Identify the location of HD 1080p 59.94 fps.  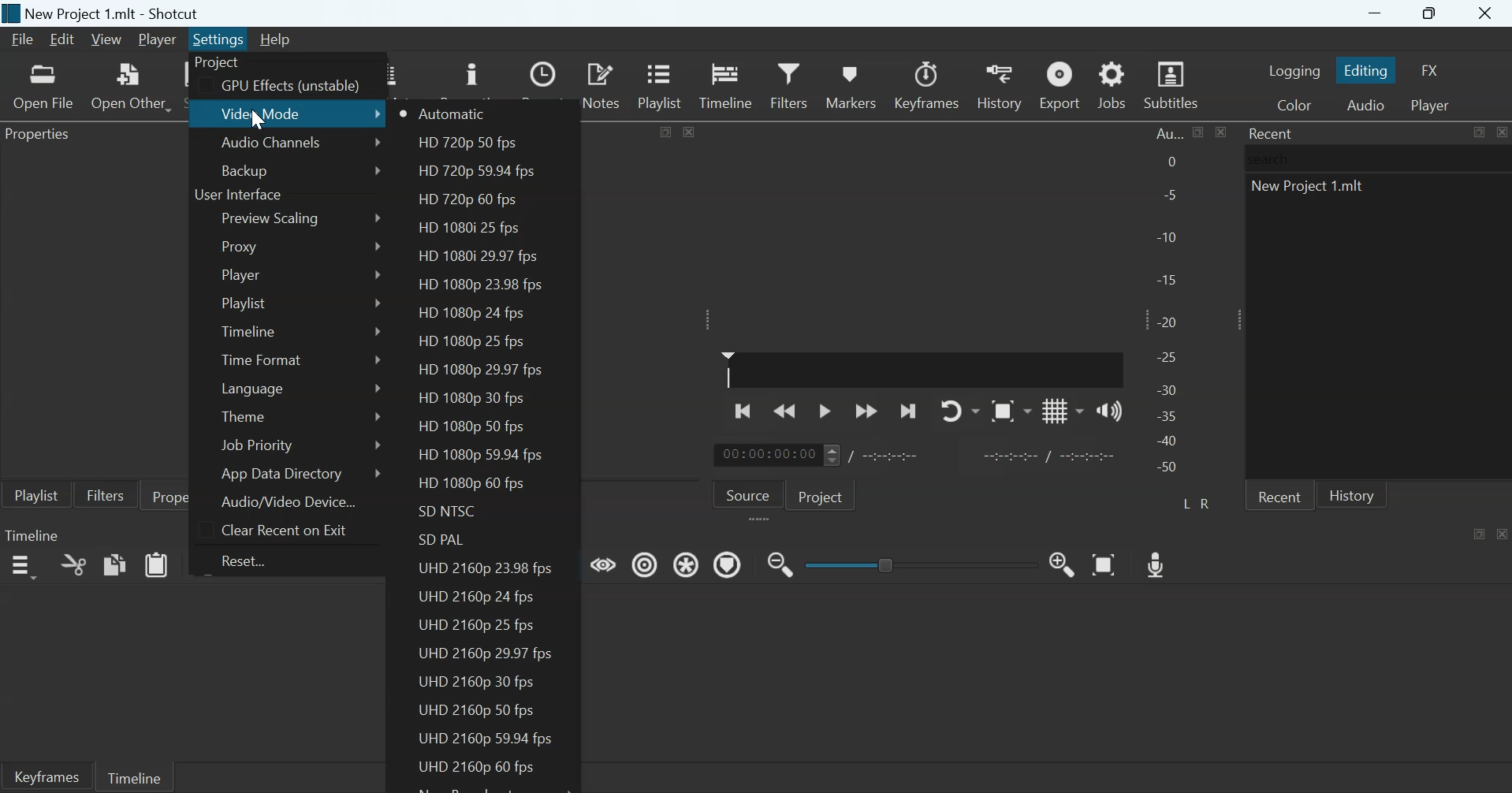
(485, 454).